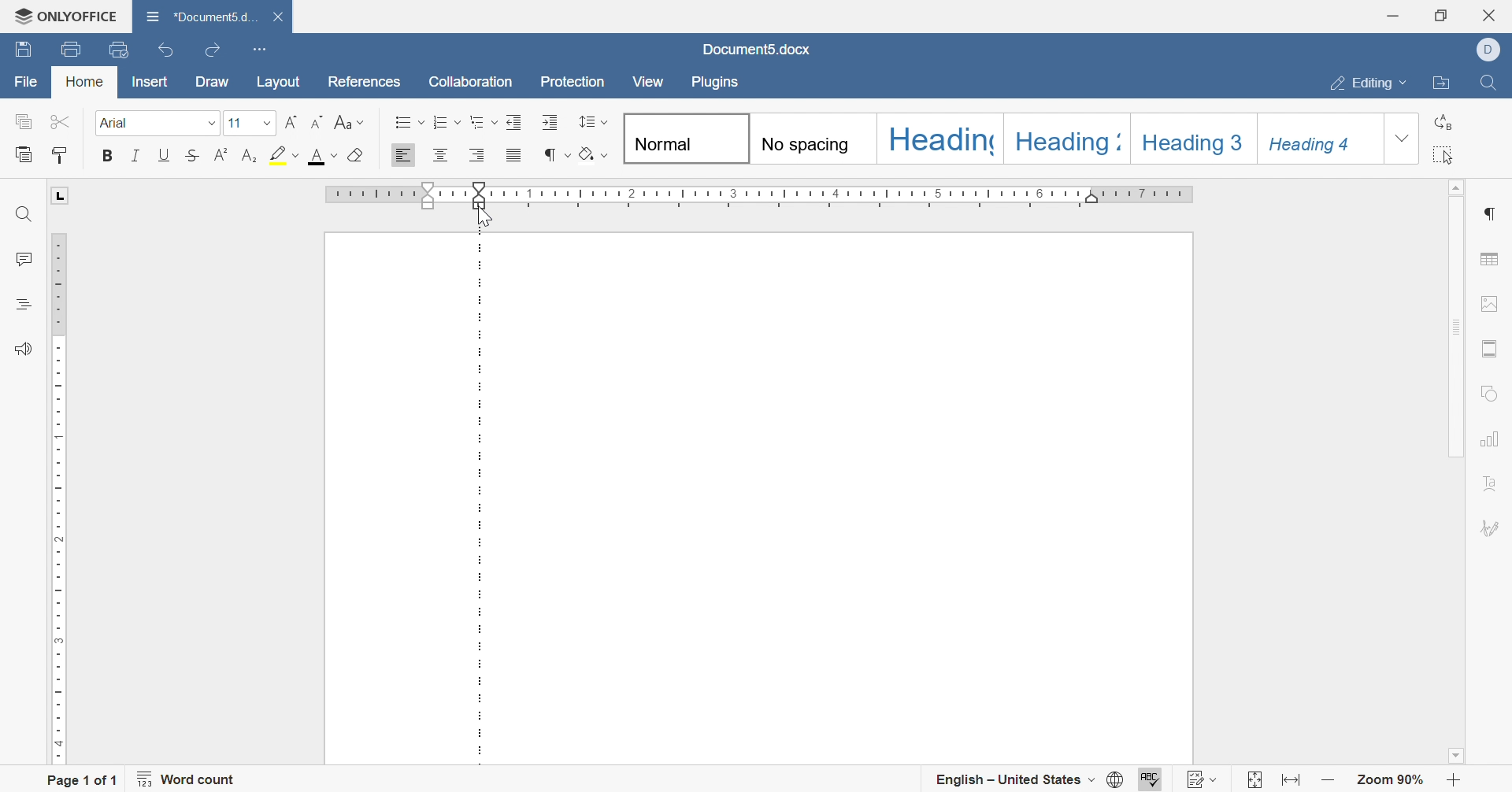 Image resolution: width=1512 pixels, height=792 pixels. What do you see at coordinates (1492, 15) in the screenshot?
I see `close` at bounding box center [1492, 15].